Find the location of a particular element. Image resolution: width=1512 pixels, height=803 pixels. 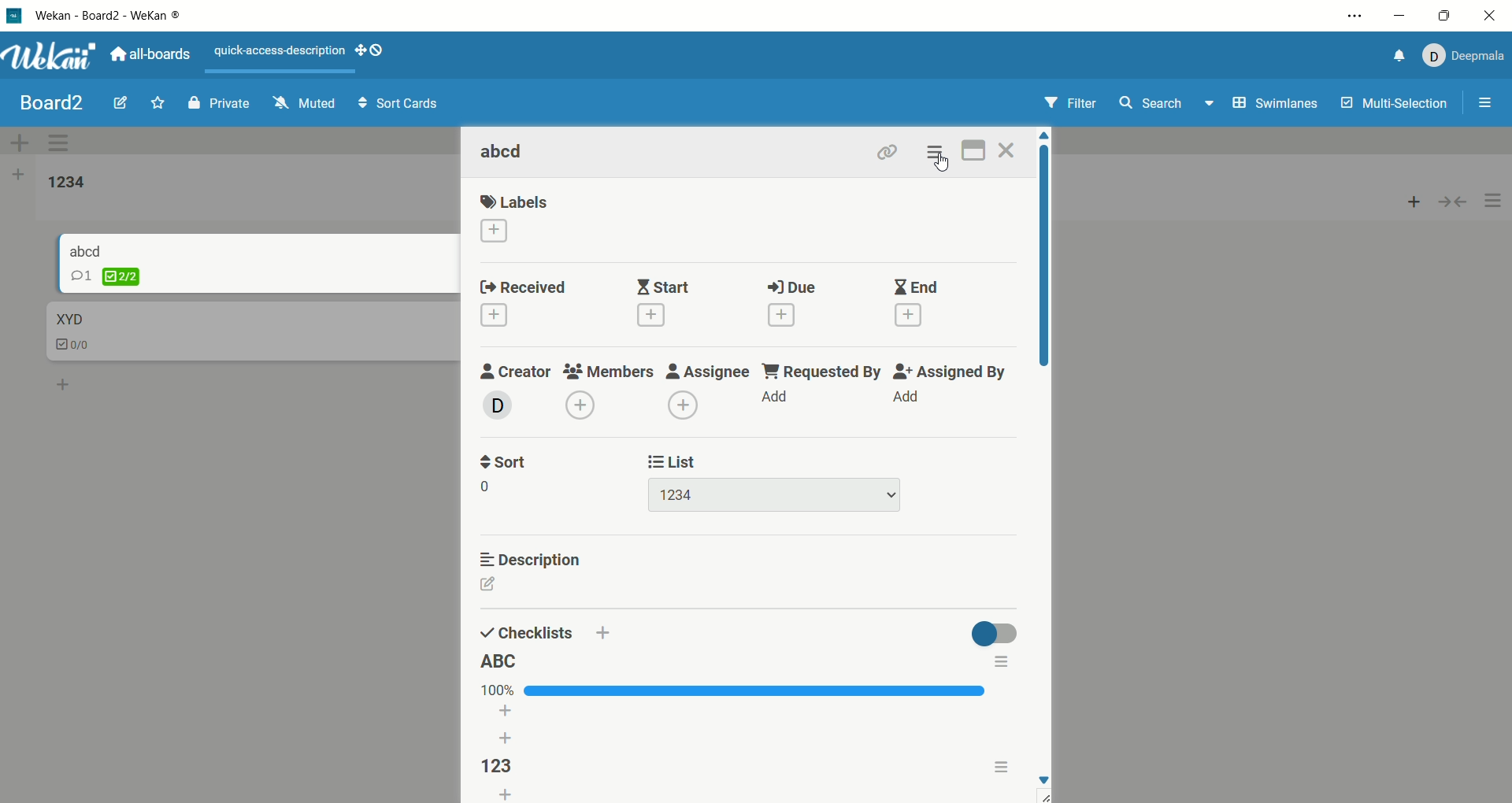

options is located at coordinates (1004, 765).